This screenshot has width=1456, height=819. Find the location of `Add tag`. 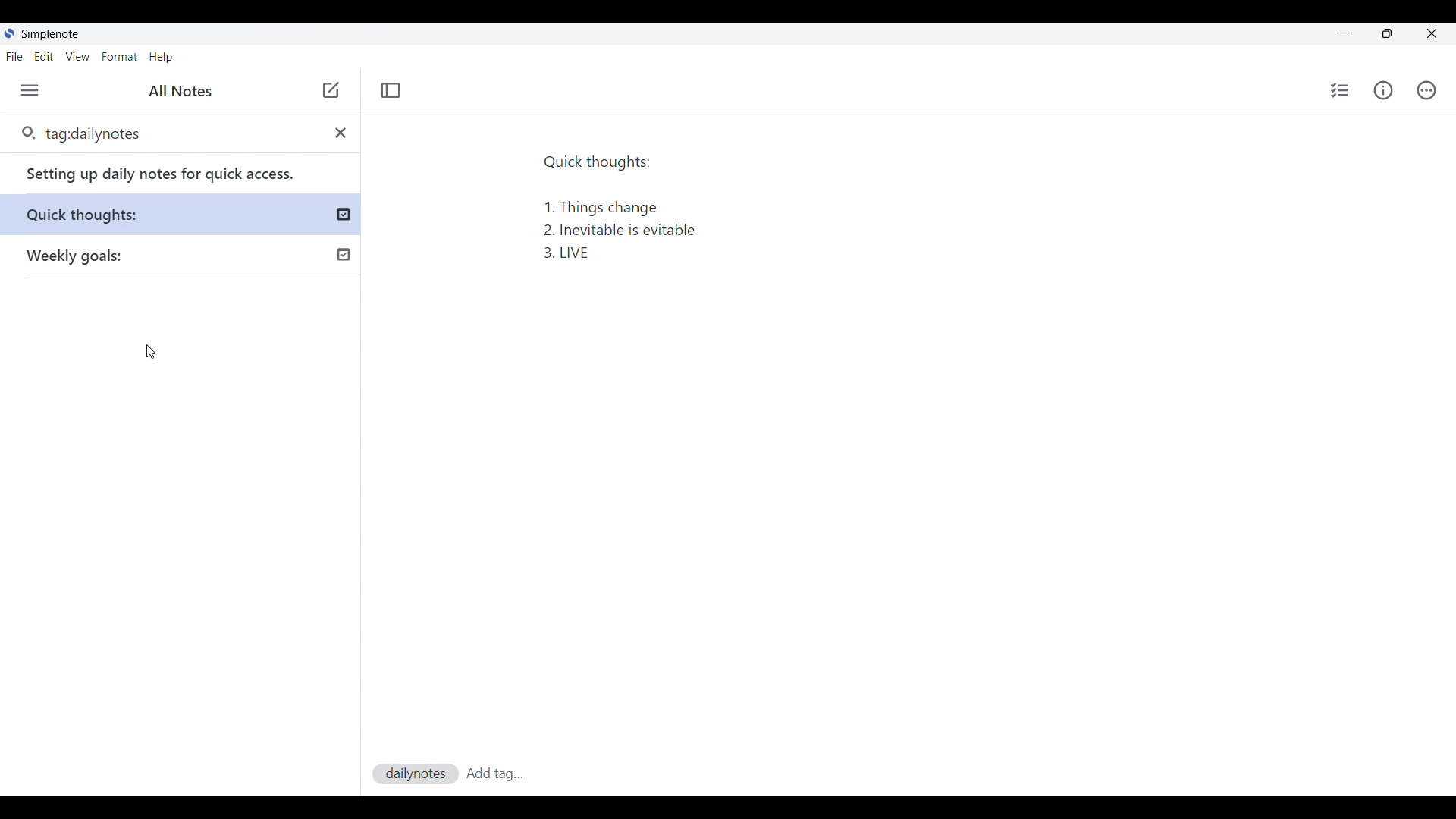

Add tag is located at coordinates (493, 772).